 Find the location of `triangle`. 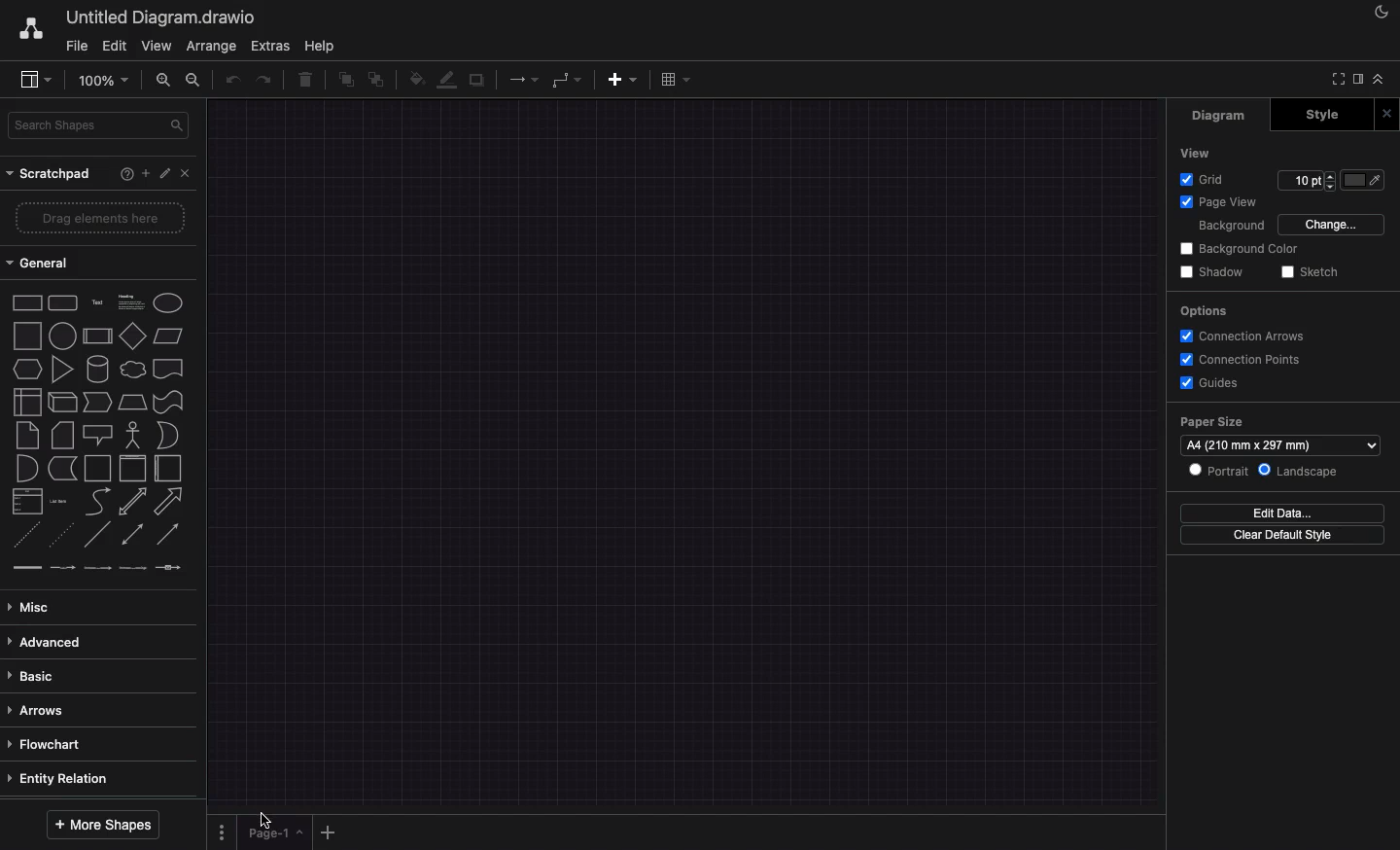

triangle is located at coordinates (61, 370).